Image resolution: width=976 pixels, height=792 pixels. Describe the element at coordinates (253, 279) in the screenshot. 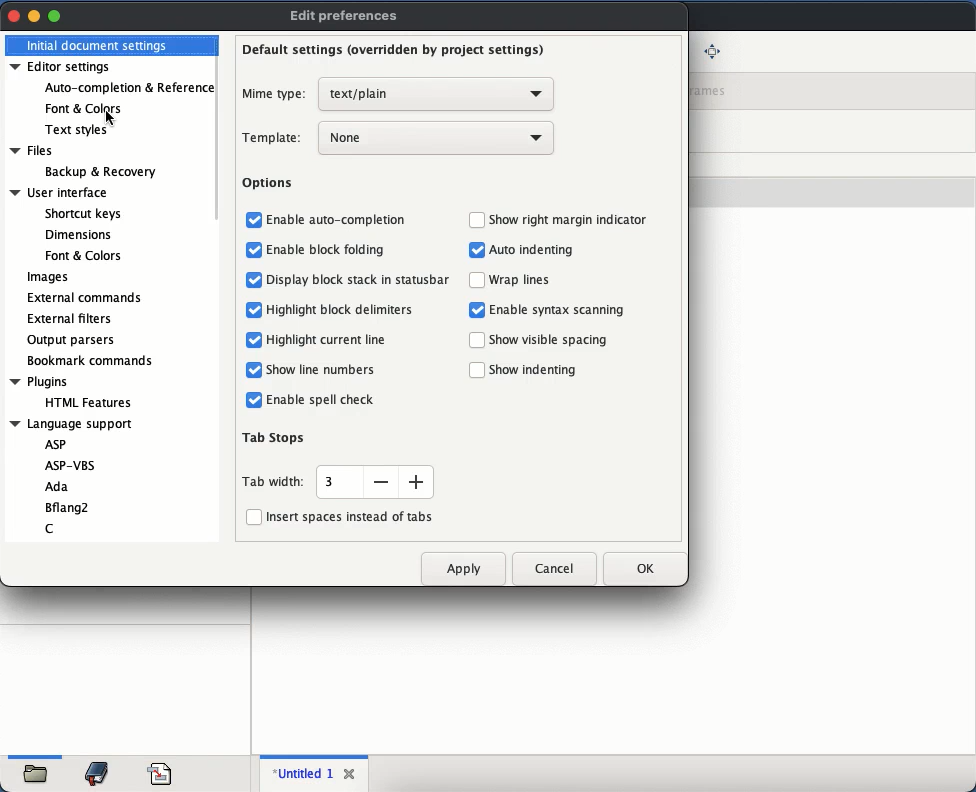

I see `checkbox` at that location.